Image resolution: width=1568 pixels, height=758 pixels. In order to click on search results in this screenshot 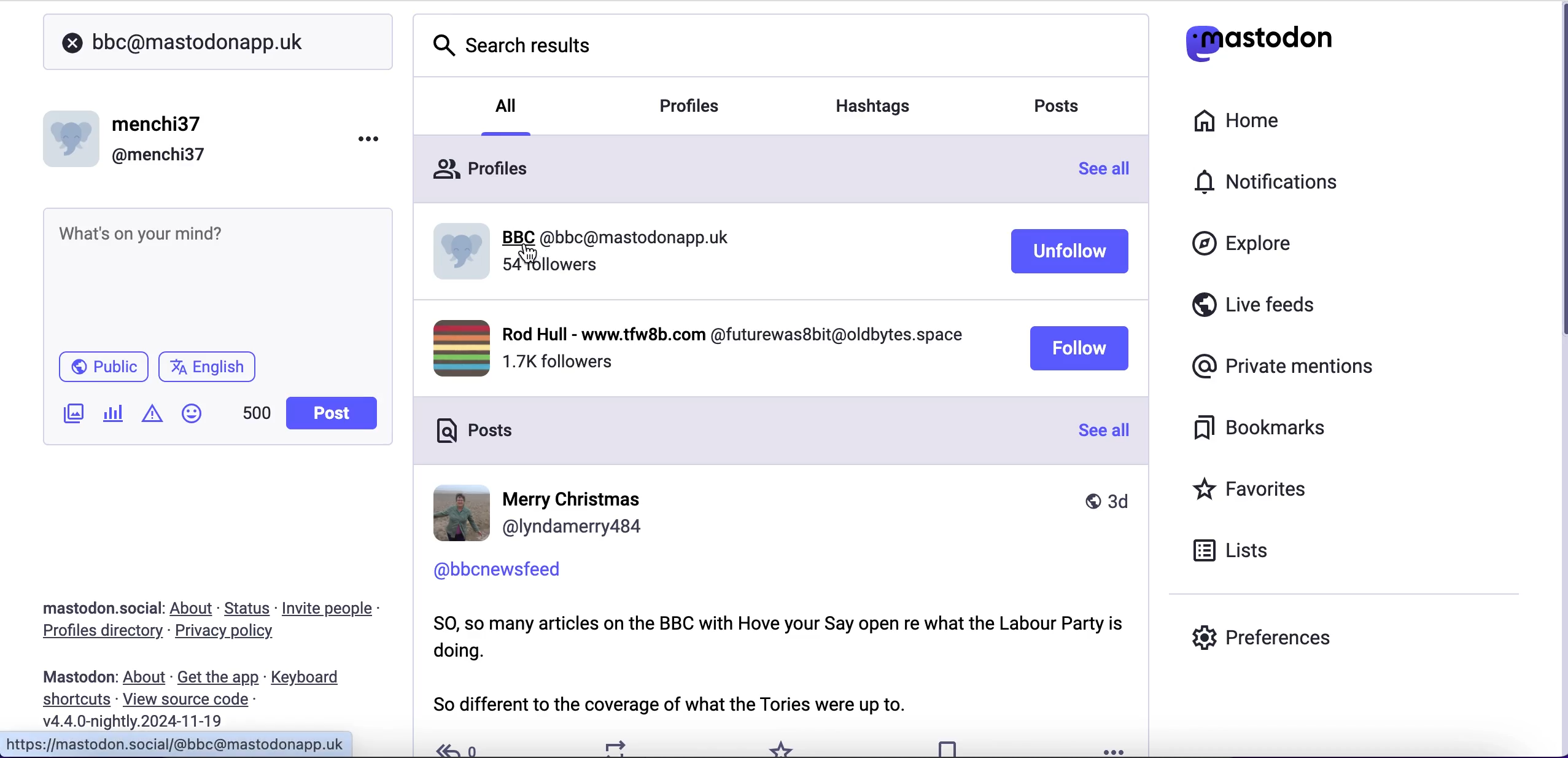, I will do `click(514, 44)`.